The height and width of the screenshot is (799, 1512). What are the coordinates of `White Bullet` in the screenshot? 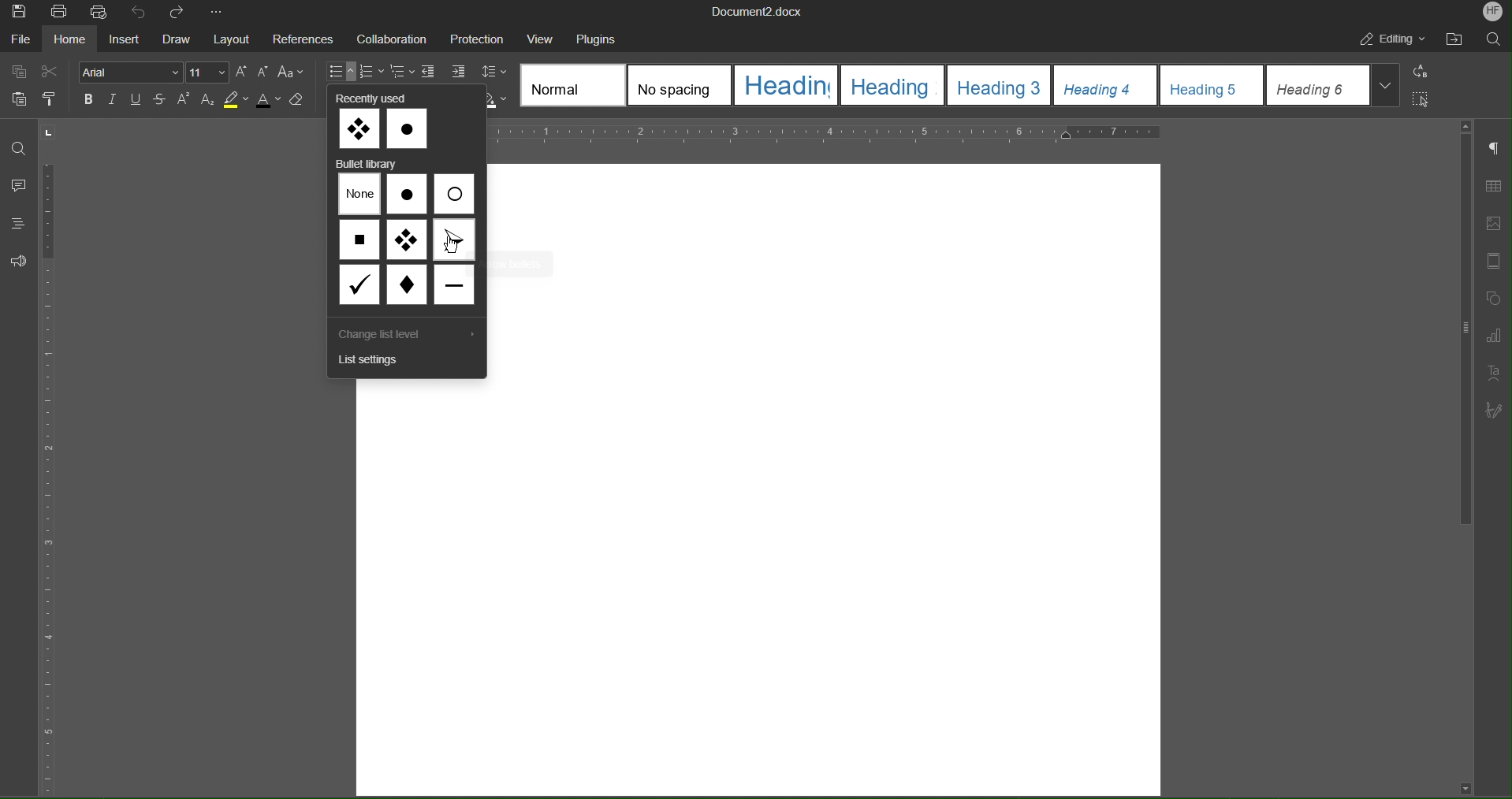 It's located at (452, 194).